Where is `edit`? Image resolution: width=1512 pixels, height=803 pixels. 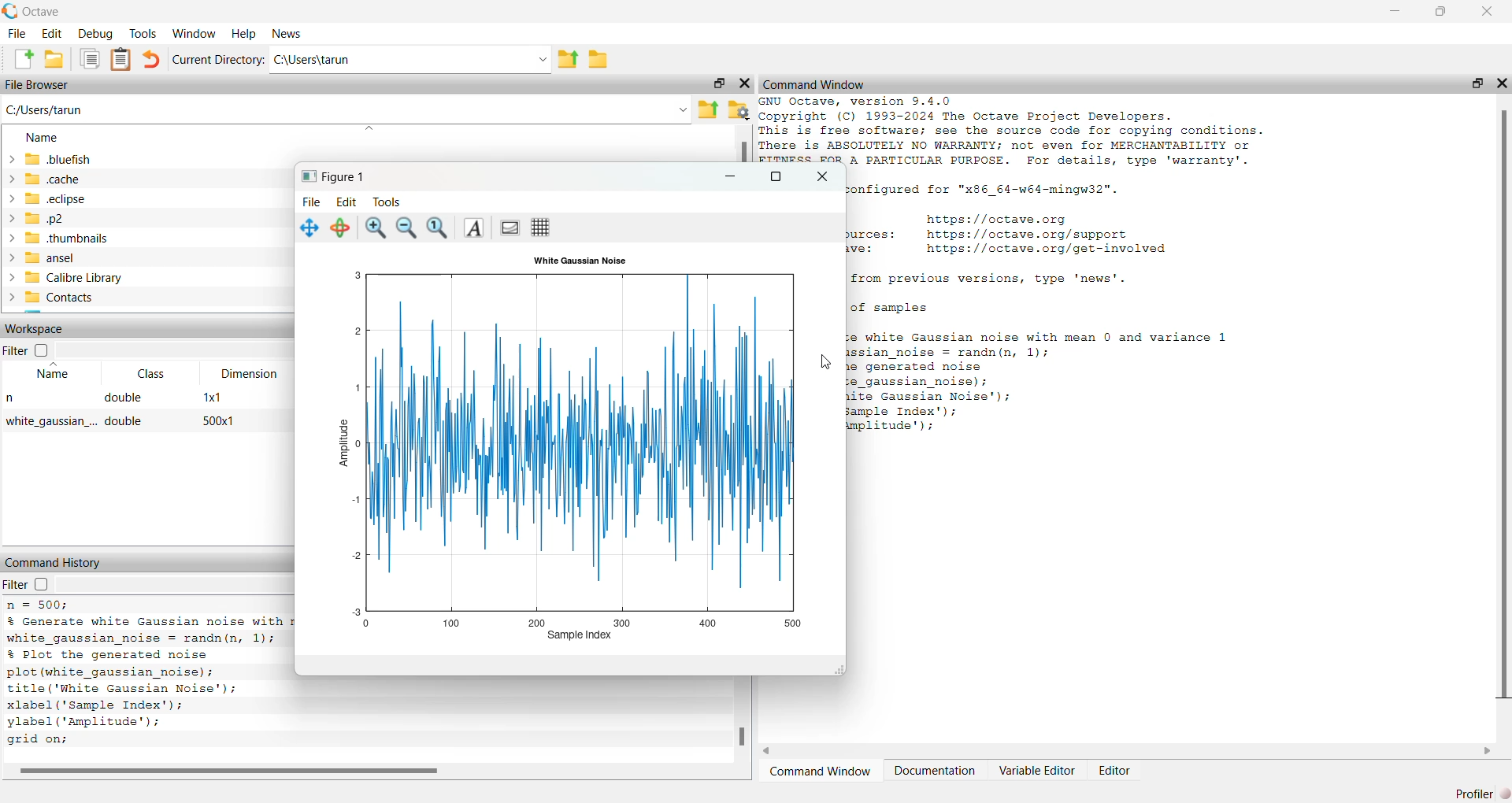 edit is located at coordinates (53, 33).